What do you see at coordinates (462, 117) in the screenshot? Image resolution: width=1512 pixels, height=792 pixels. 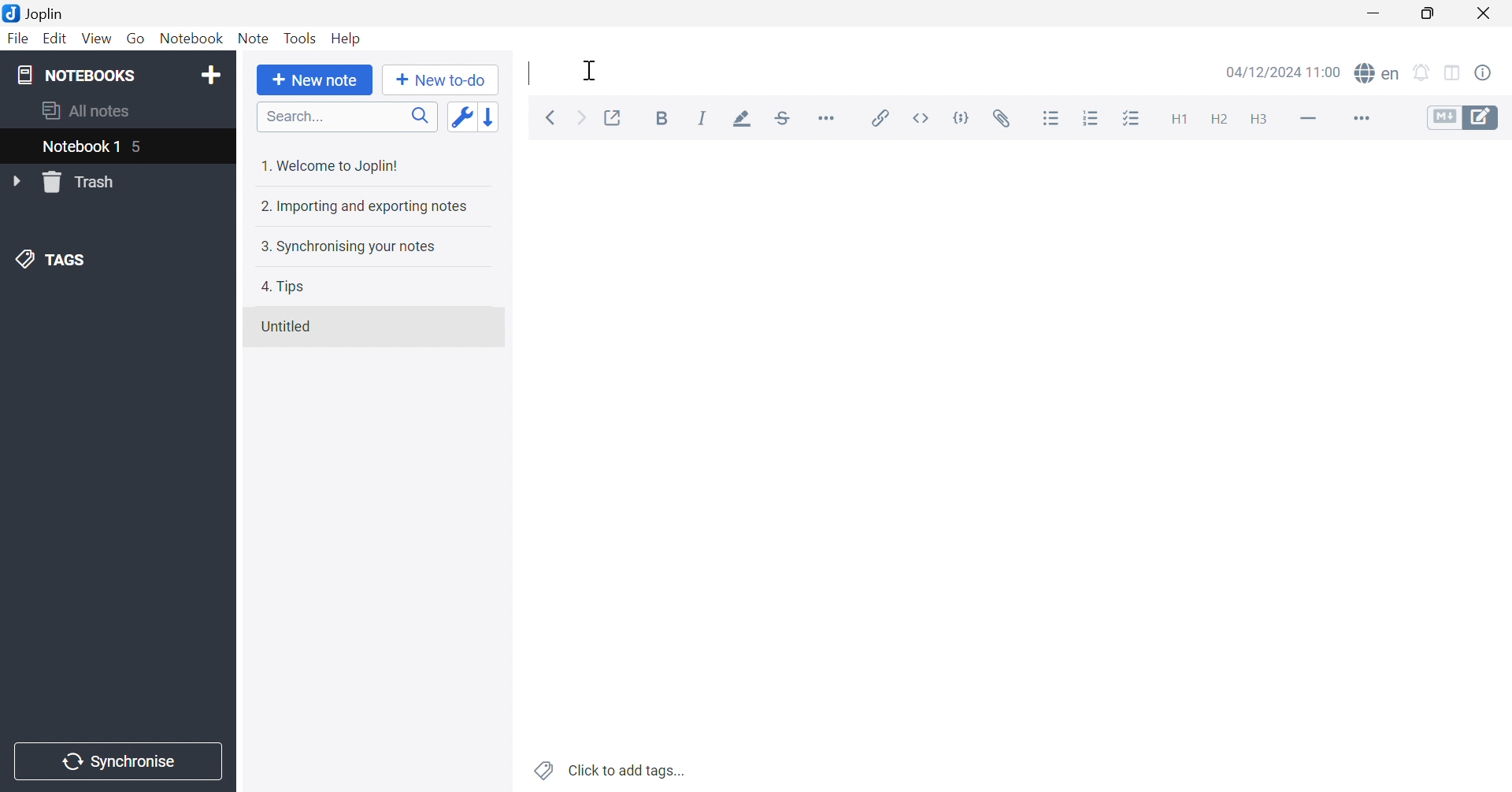 I see `Toggle sort order field` at bounding box center [462, 117].